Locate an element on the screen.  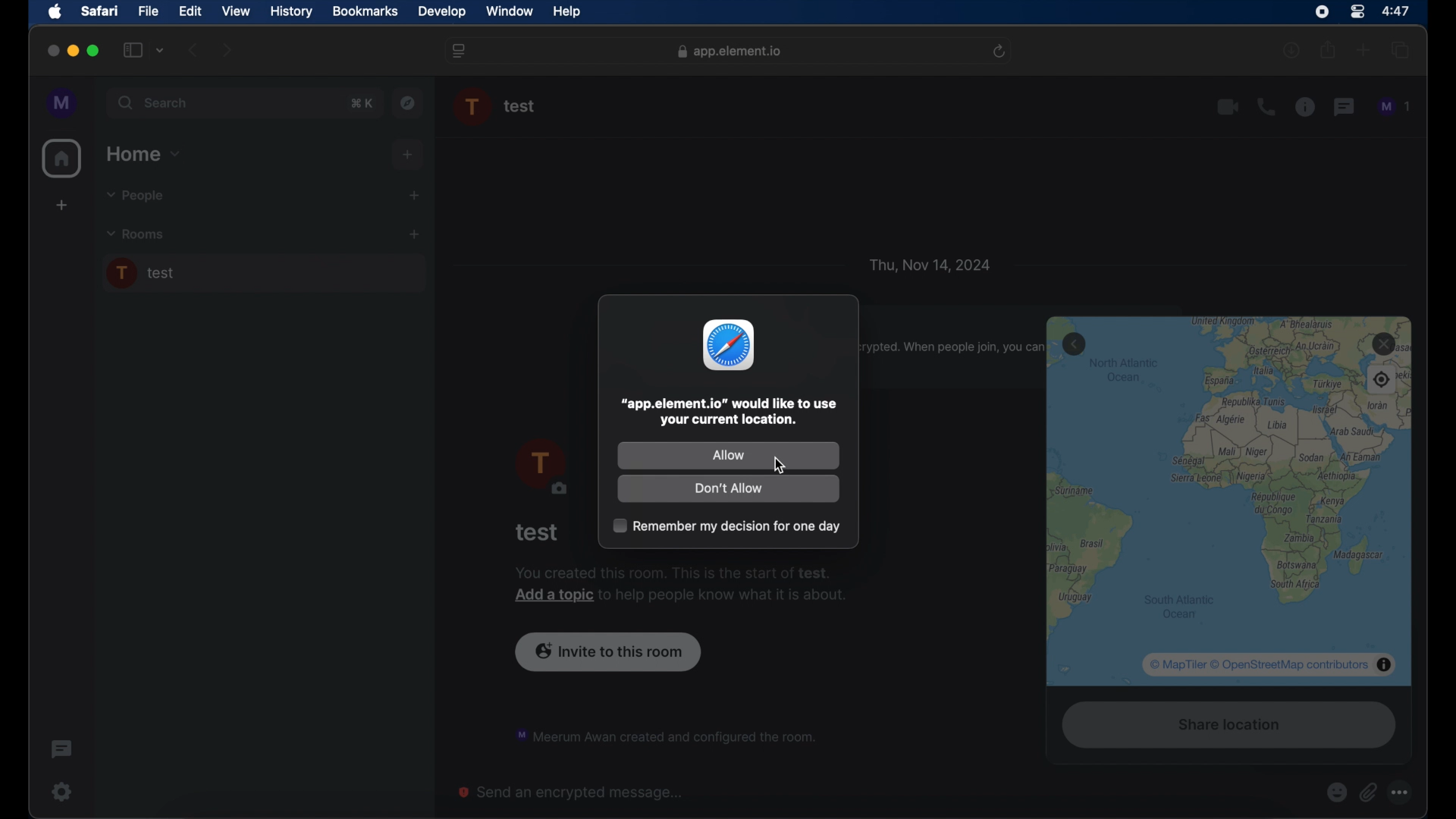
website settings is located at coordinates (460, 51).